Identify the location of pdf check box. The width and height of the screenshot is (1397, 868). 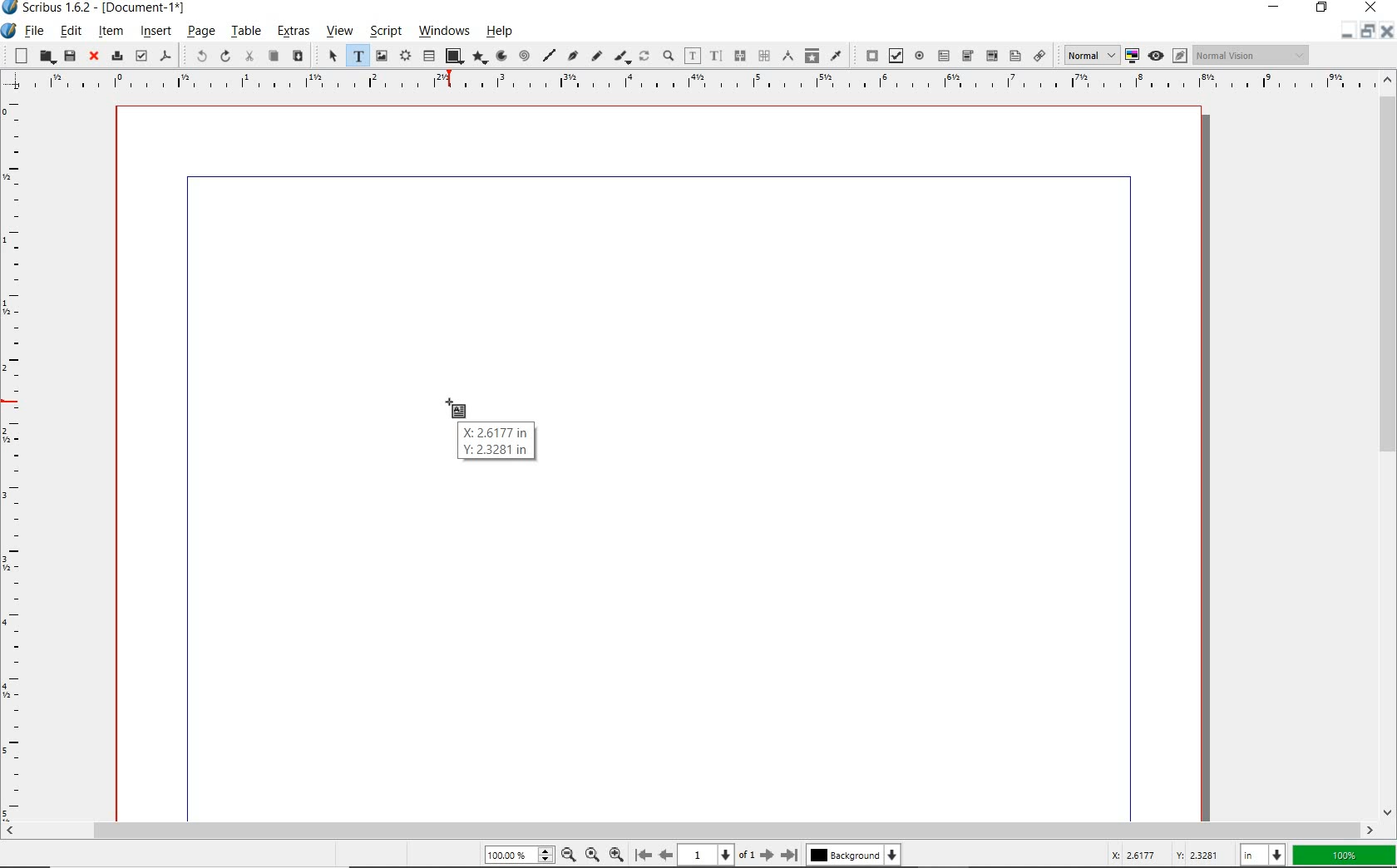
(894, 55).